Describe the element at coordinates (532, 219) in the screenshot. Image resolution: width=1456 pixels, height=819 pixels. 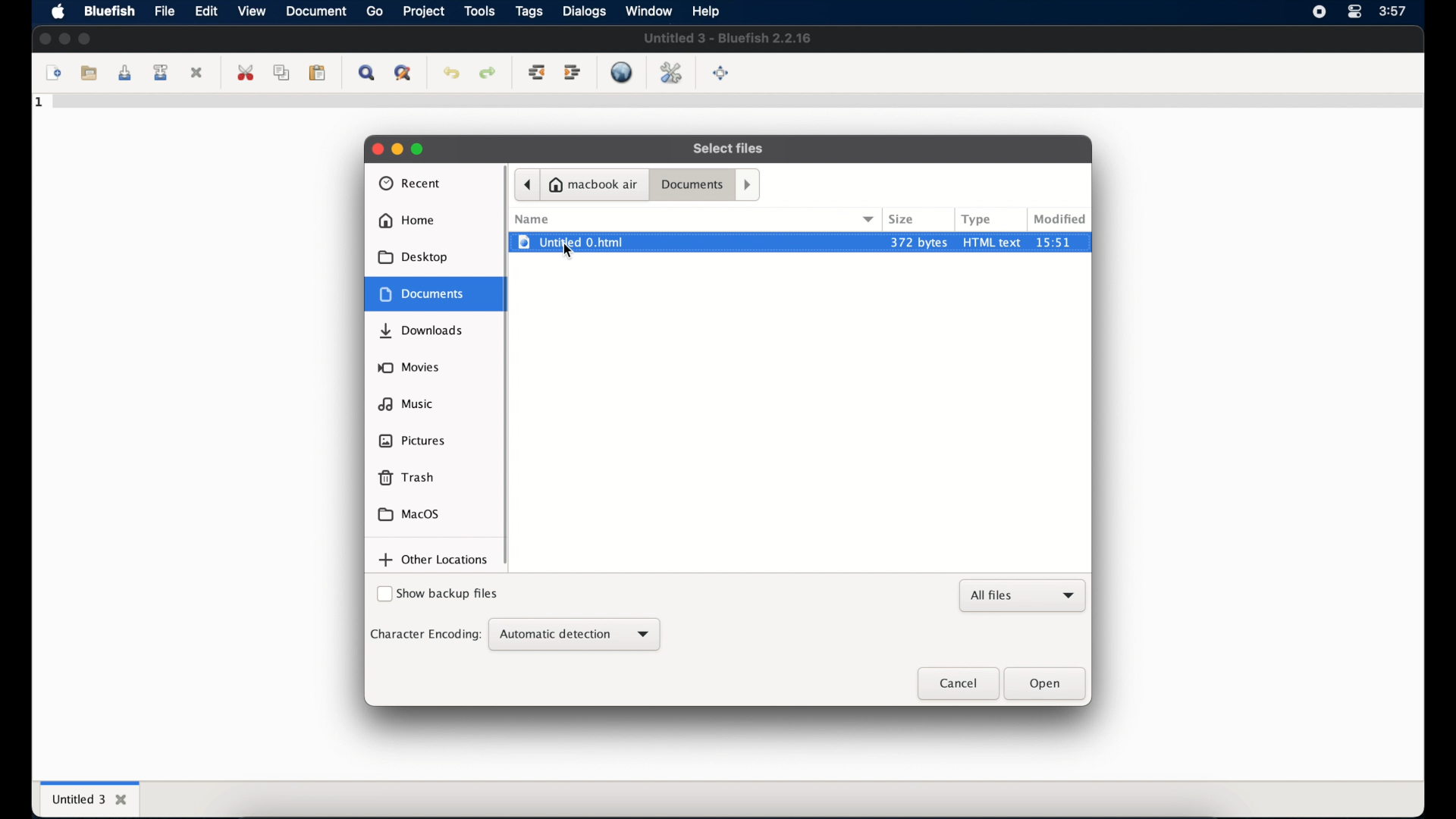
I see `name` at that location.